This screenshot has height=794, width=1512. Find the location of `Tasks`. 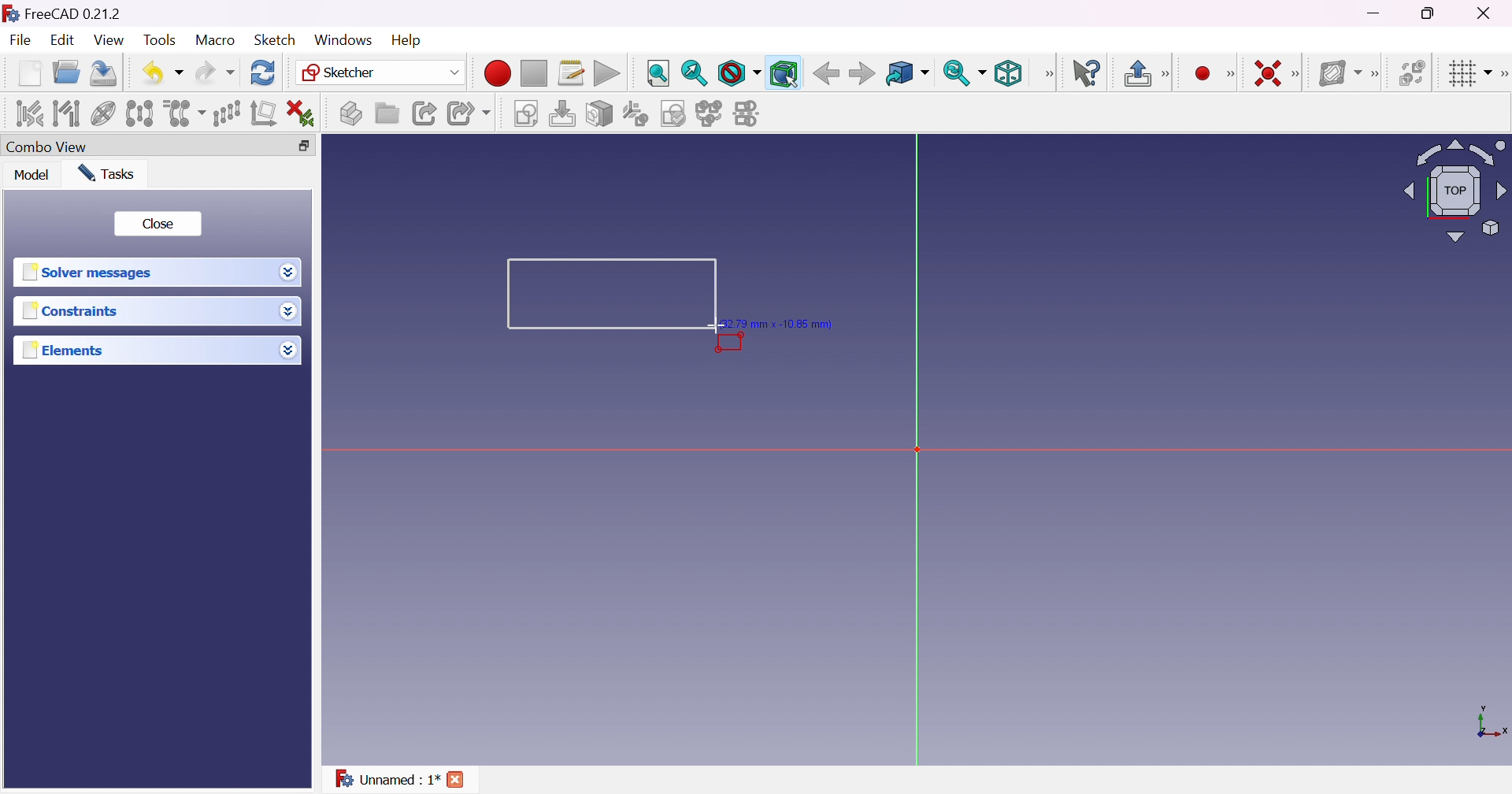

Tasks is located at coordinates (106, 173).